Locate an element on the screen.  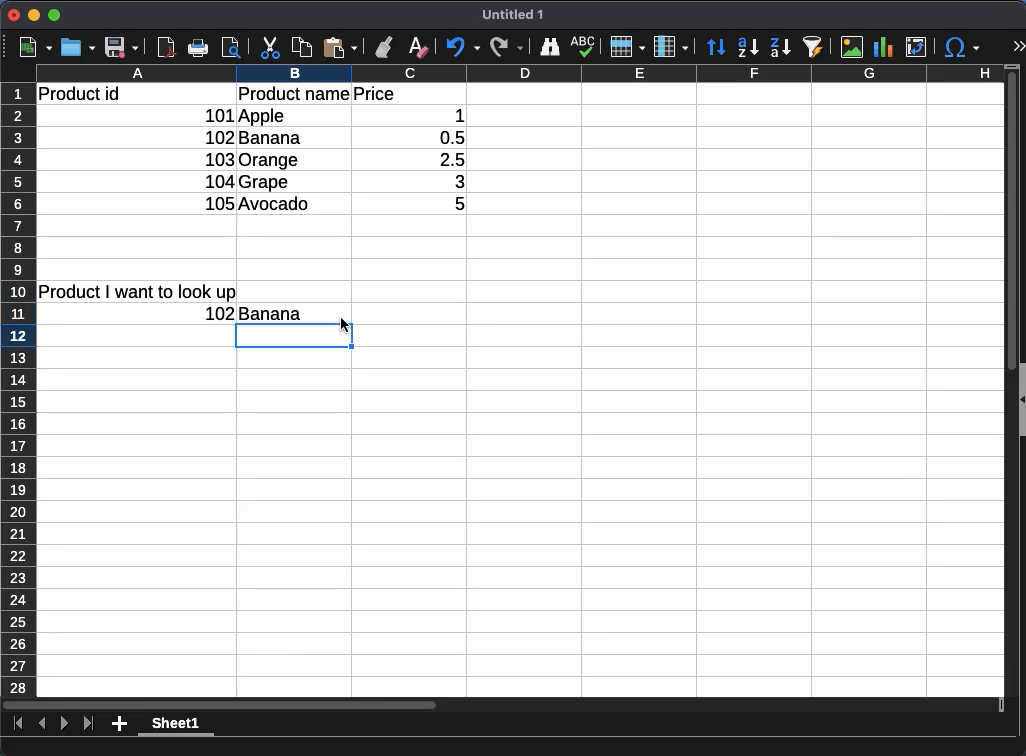
2.5 is located at coordinates (444, 159).